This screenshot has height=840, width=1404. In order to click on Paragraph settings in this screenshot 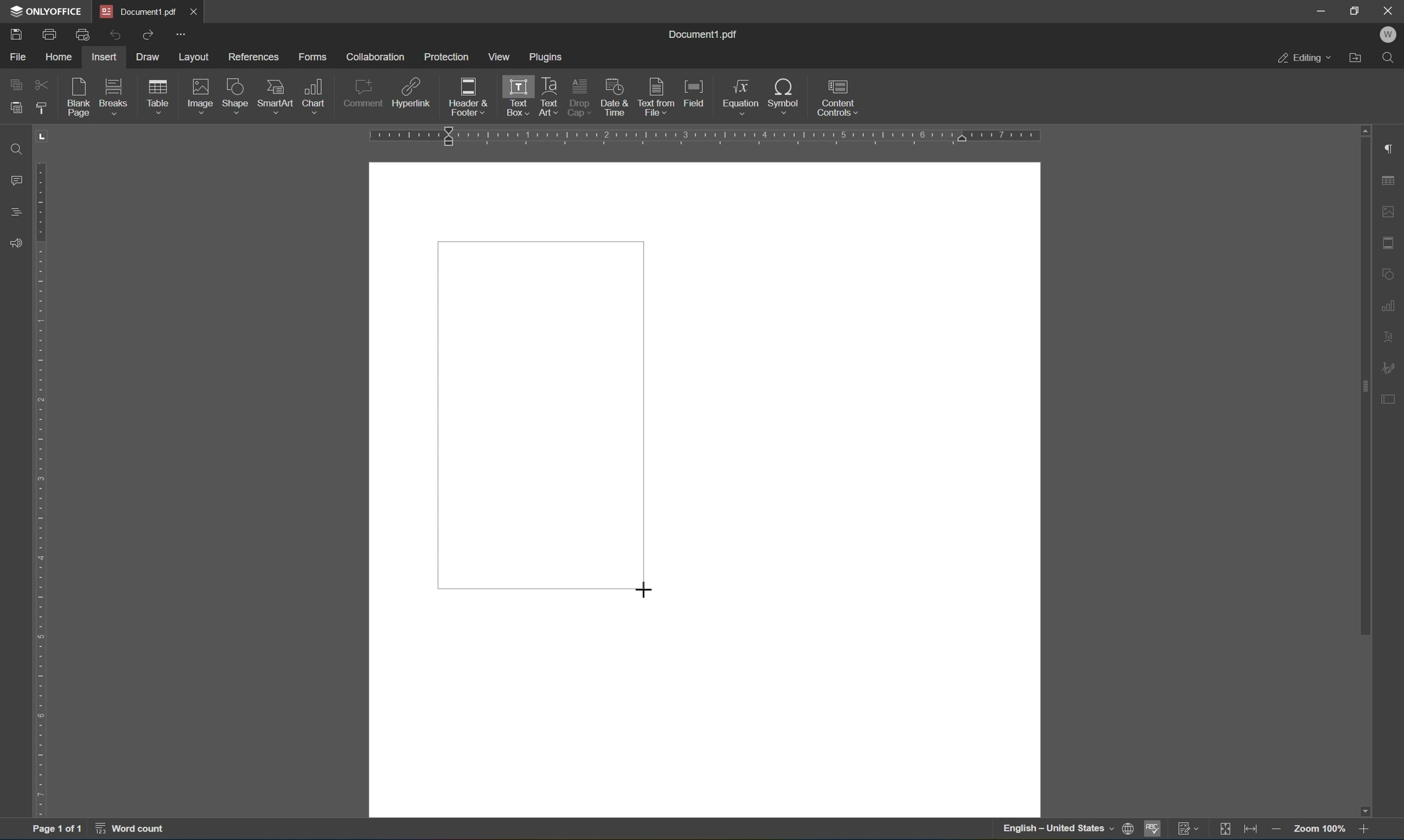, I will do `click(1392, 147)`.